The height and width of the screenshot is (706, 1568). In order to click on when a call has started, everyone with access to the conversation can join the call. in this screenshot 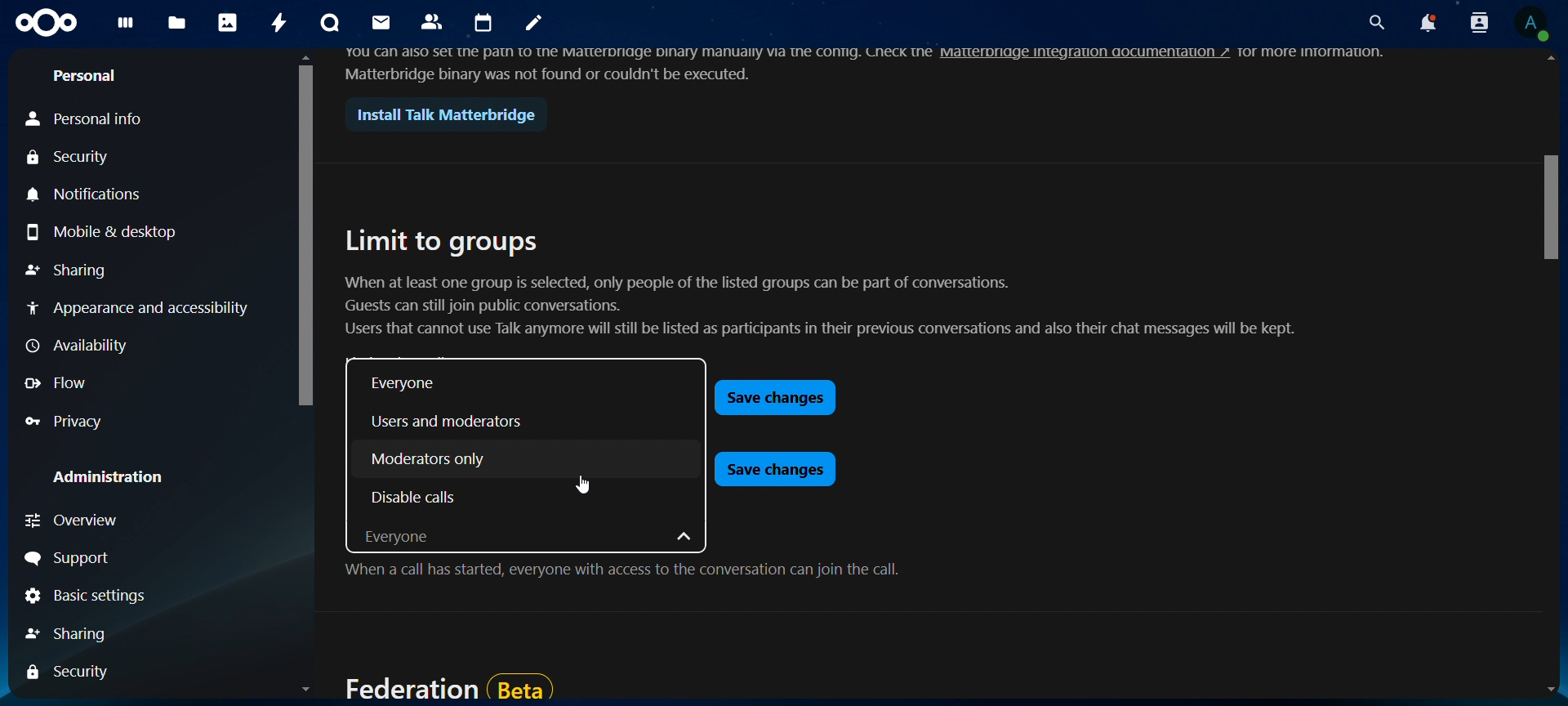, I will do `click(621, 574)`.